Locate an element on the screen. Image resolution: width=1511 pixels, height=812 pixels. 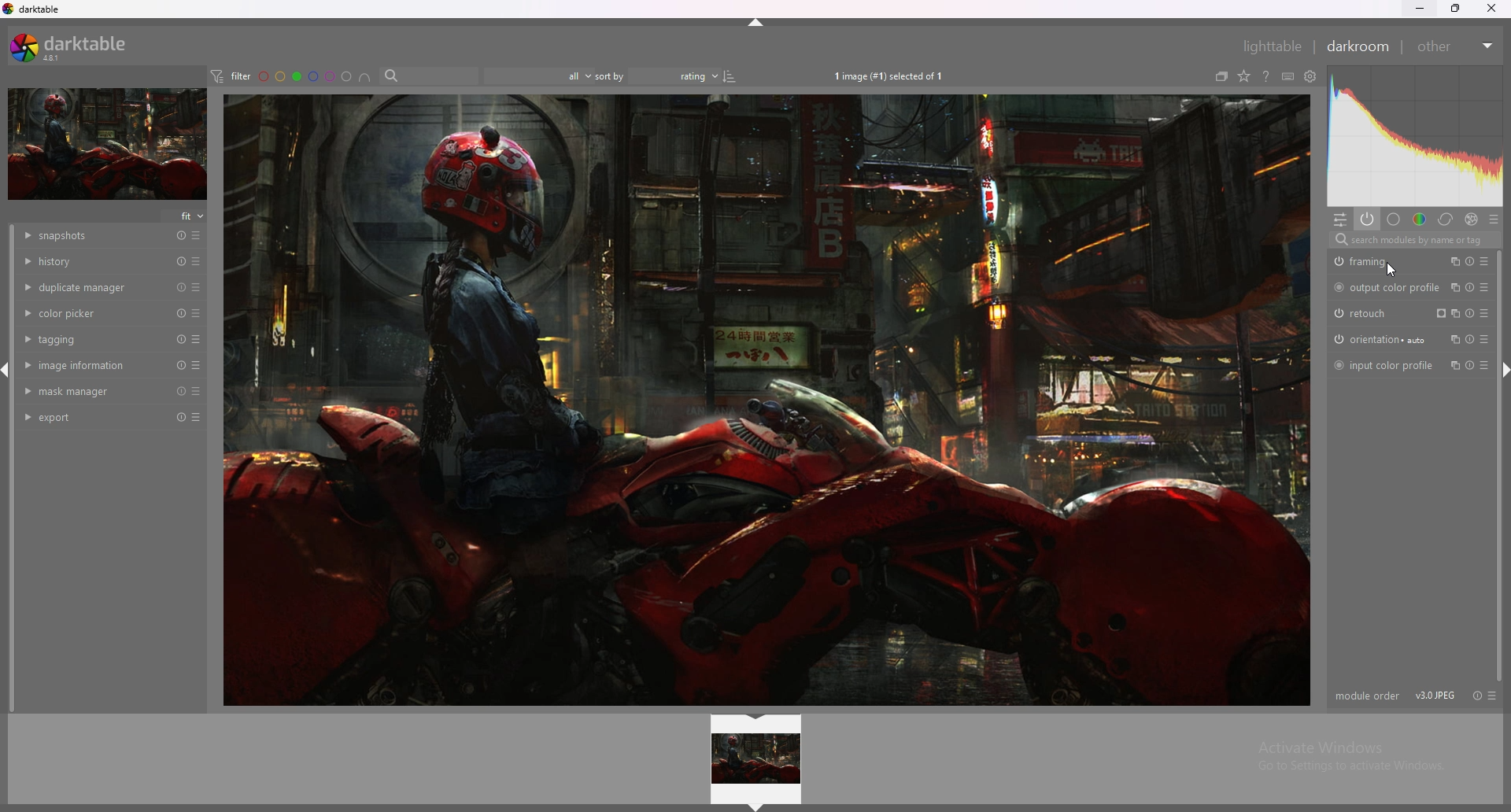
rating is located at coordinates (684, 76).